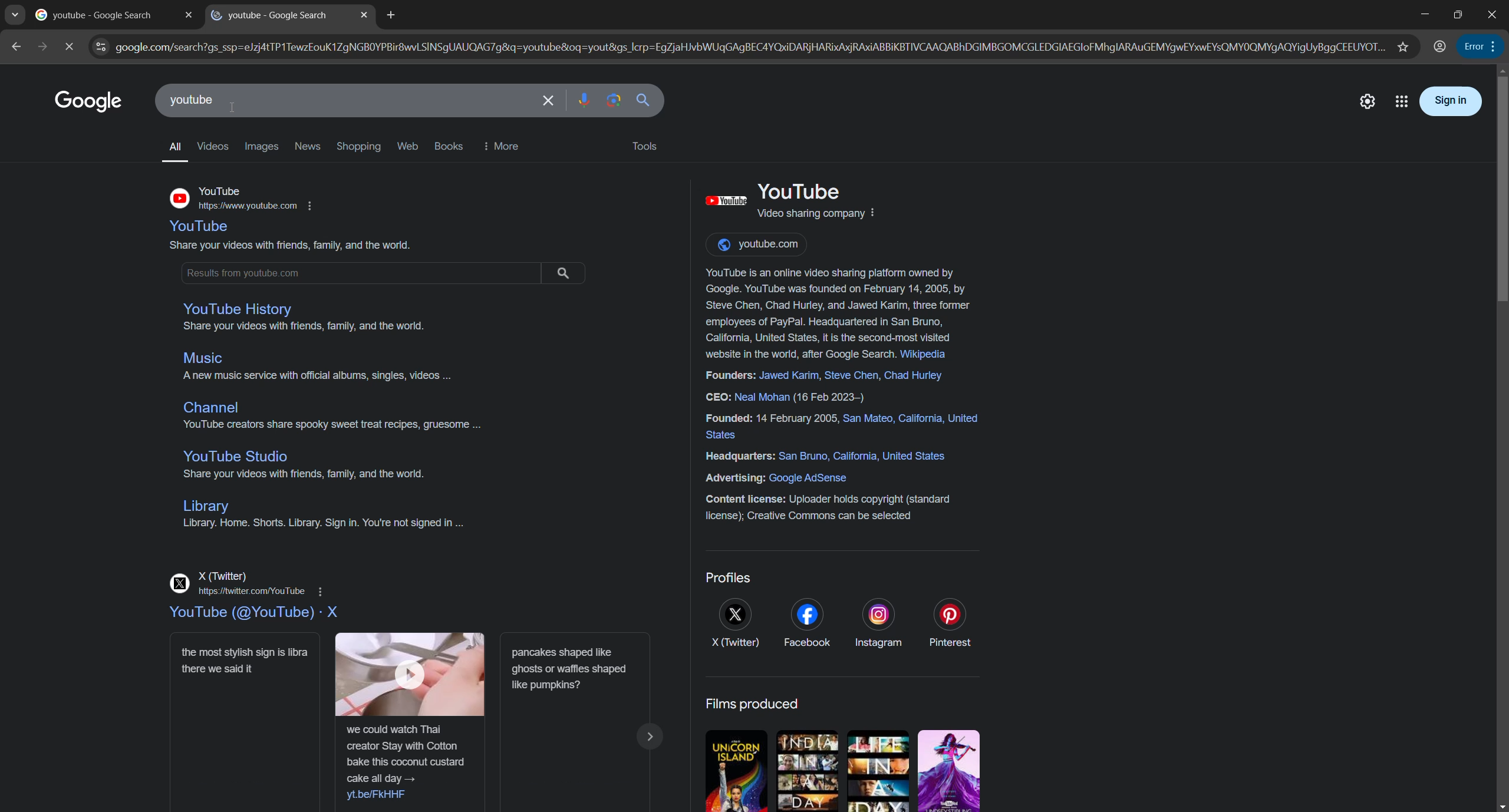 Image resolution: width=1509 pixels, height=812 pixels. What do you see at coordinates (755, 46) in the screenshot?
I see `address bar` at bounding box center [755, 46].